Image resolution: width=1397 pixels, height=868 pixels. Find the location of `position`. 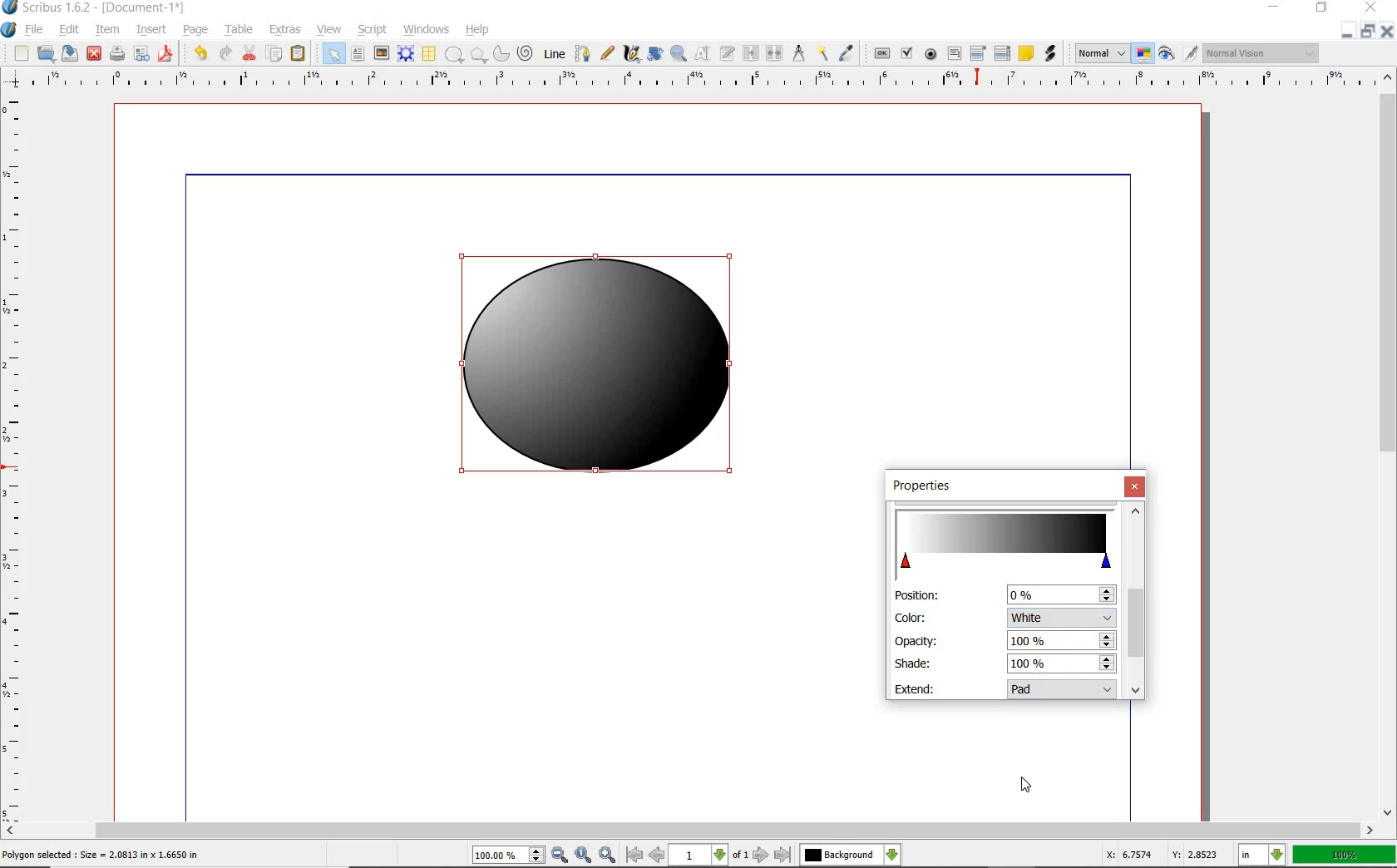

position is located at coordinates (916, 596).